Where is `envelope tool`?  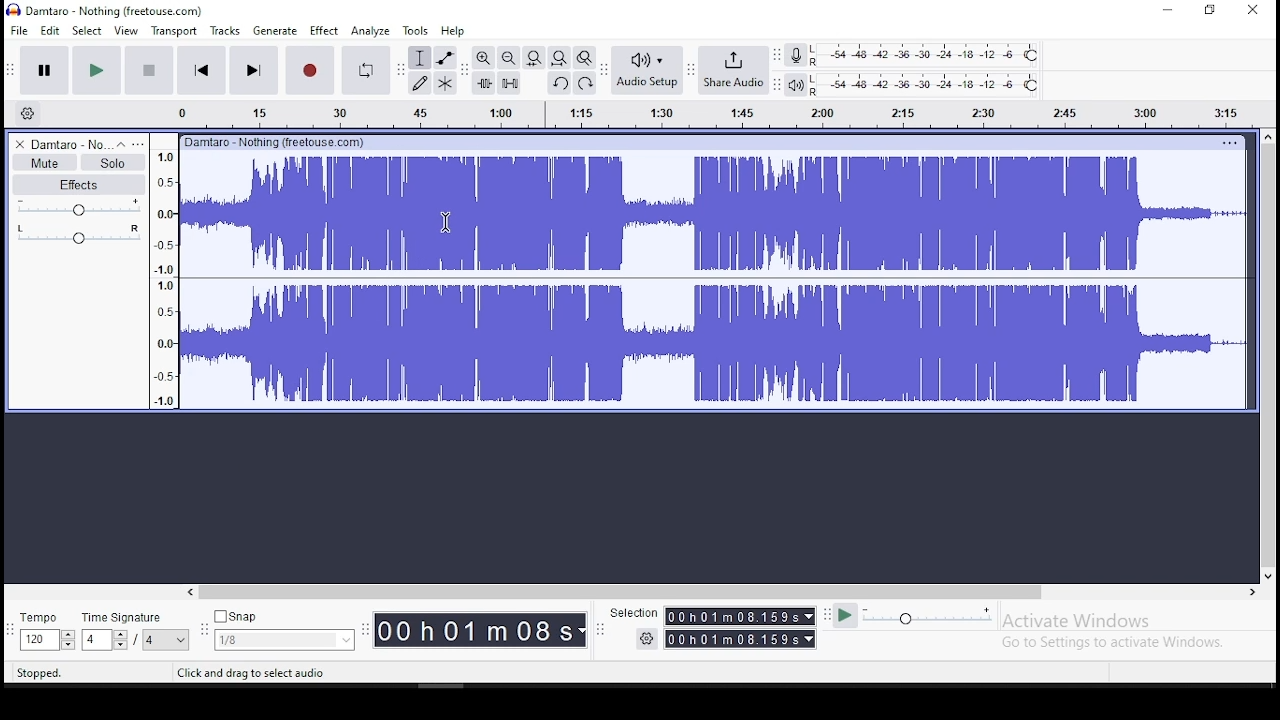 envelope tool is located at coordinates (444, 57).